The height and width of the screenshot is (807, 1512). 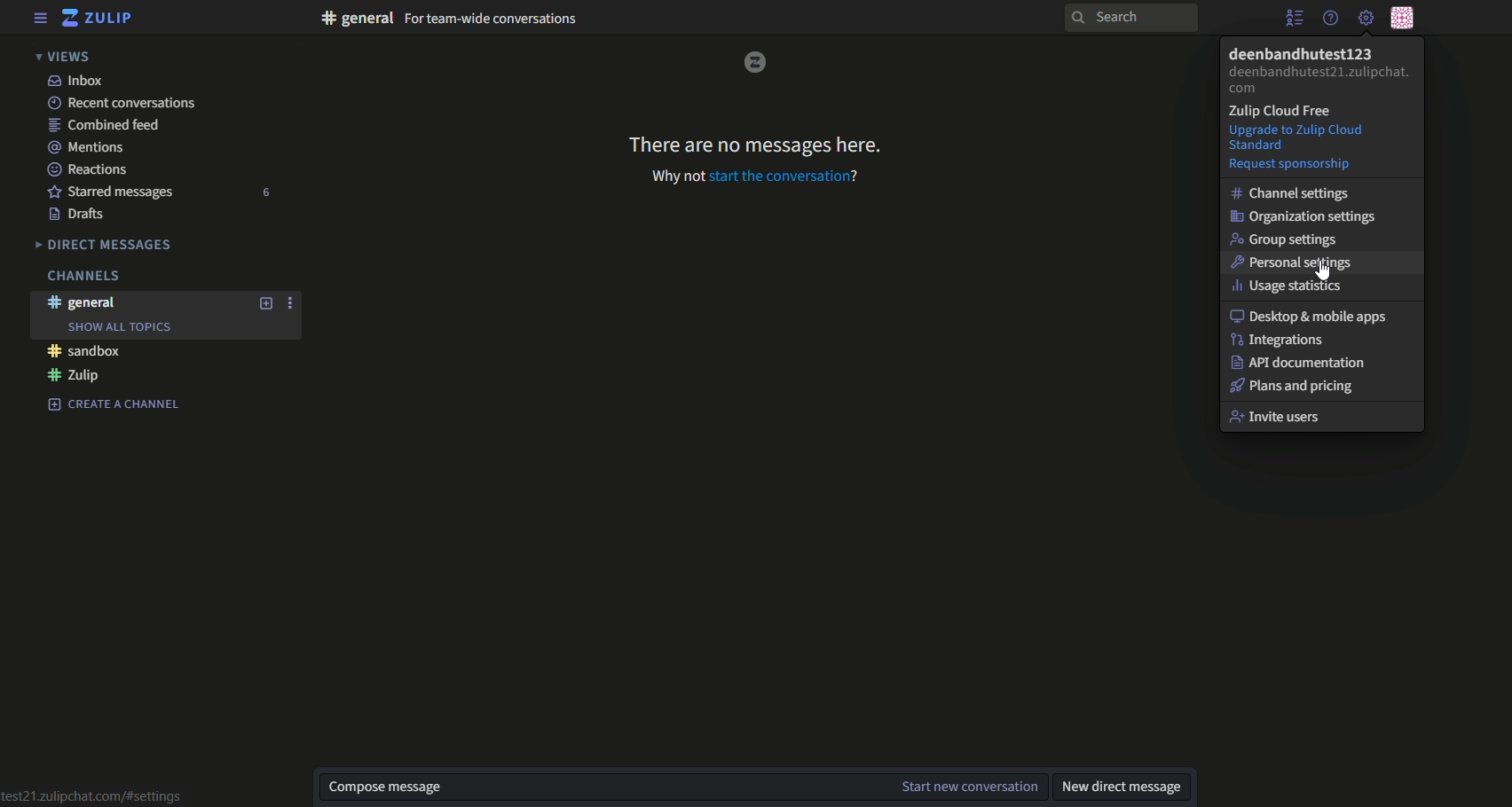 What do you see at coordinates (449, 19) in the screenshot?
I see `text` at bounding box center [449, 19].